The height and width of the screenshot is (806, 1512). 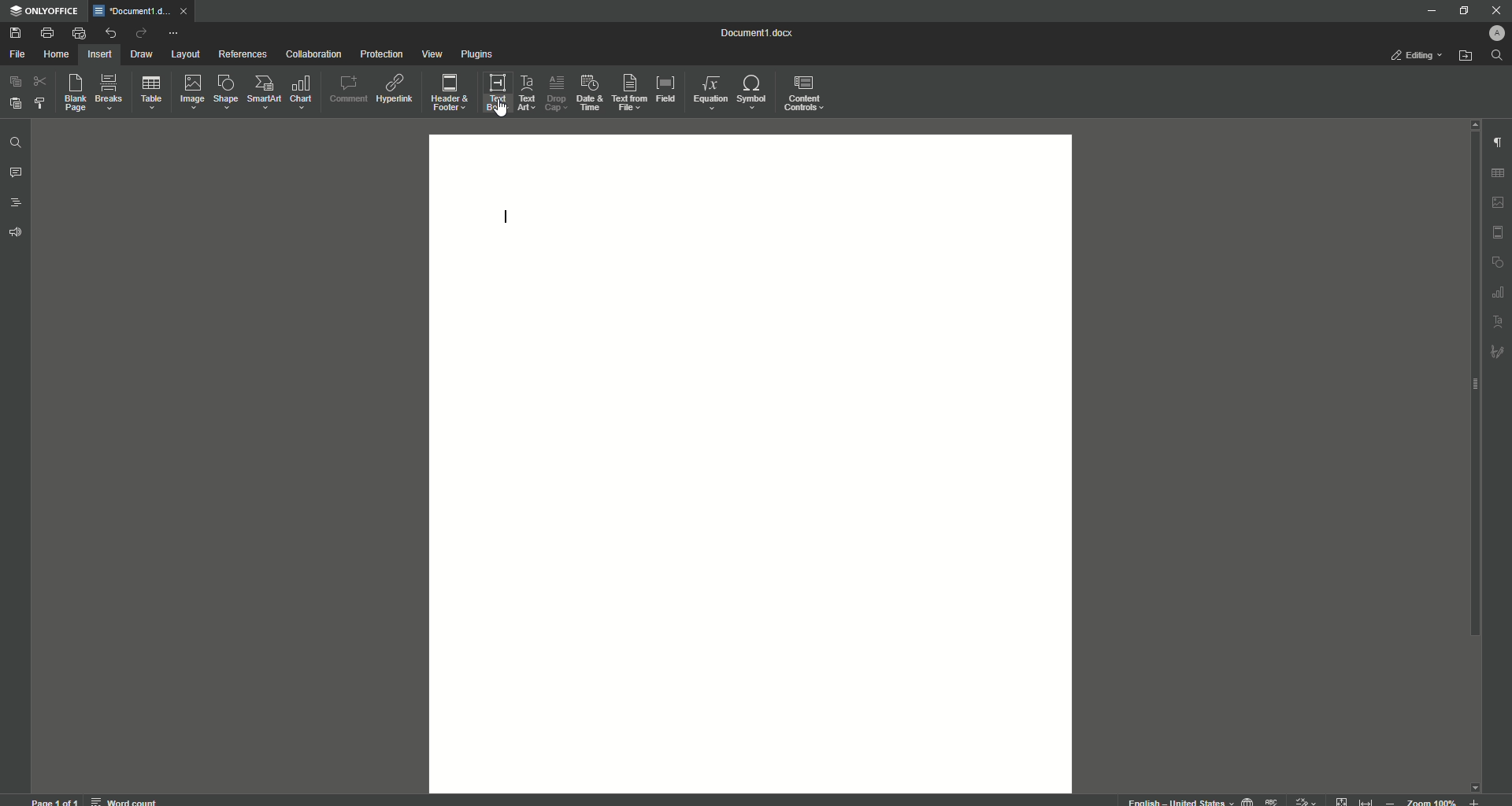 I want to click on Headings, so click(x=17, y=203).